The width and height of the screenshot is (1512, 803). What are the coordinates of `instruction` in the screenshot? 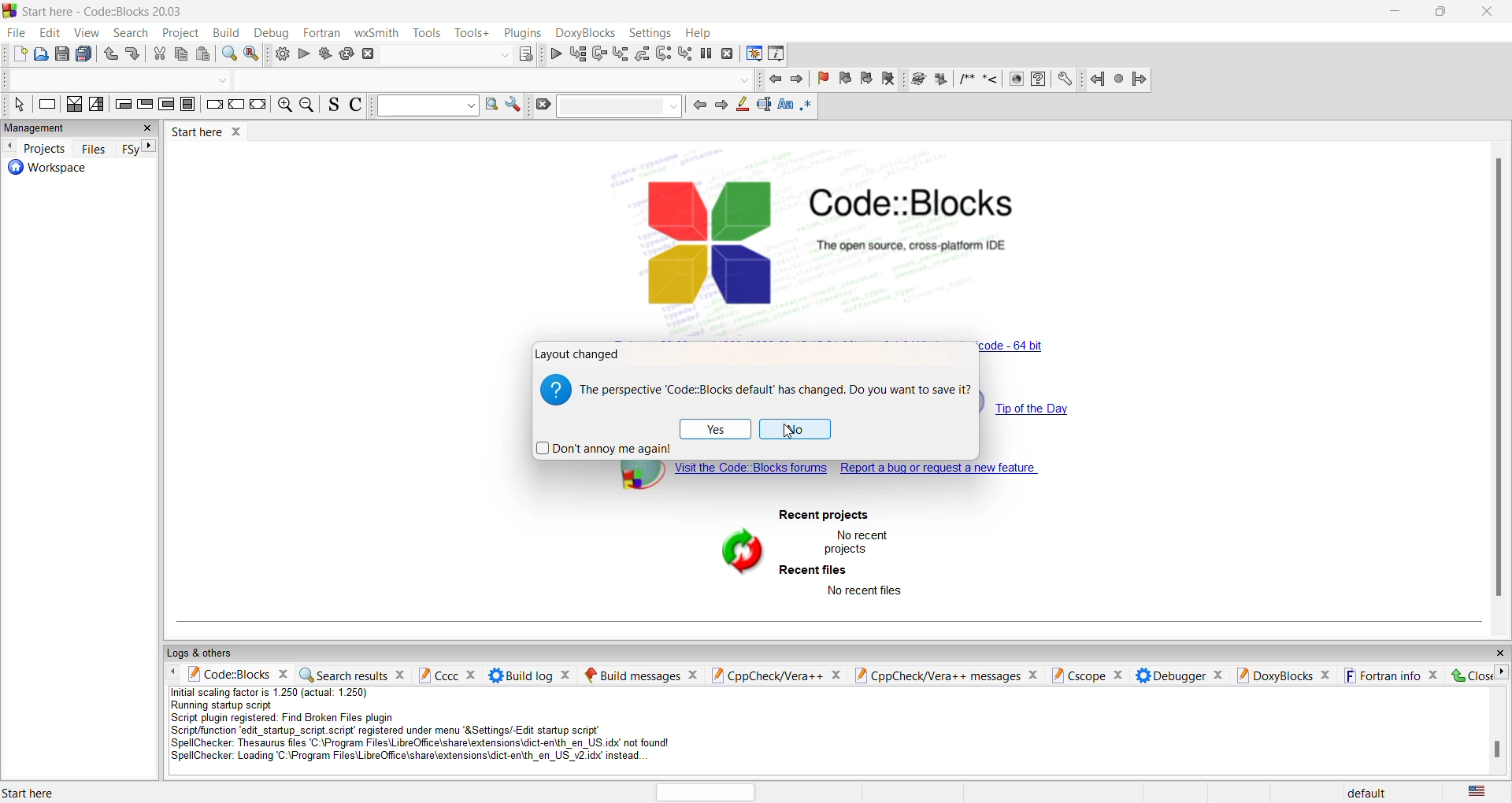 It's located at (46, 105).